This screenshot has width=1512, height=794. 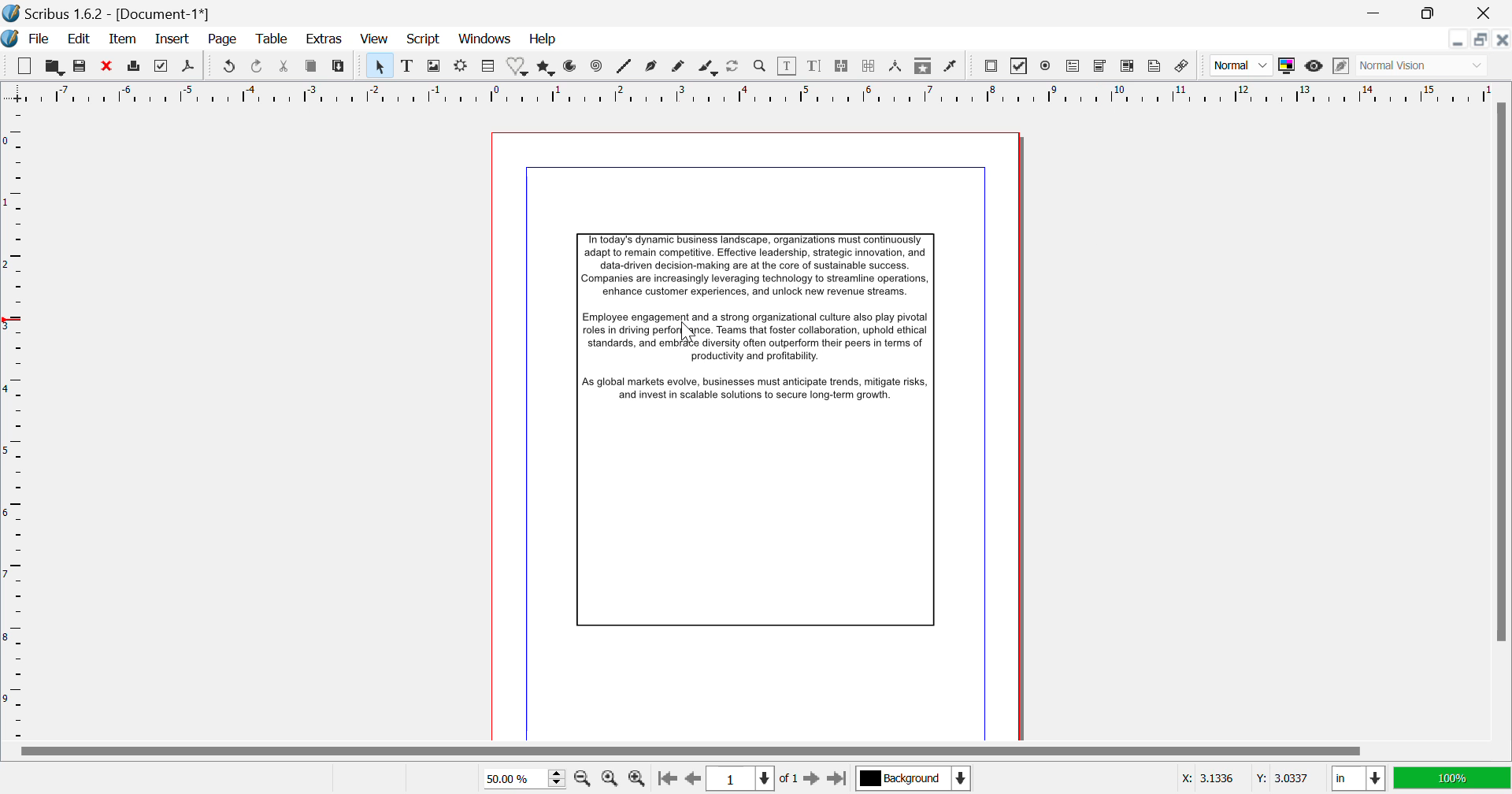 I want to click on Bezier Curve, so click(x=650, y=68).